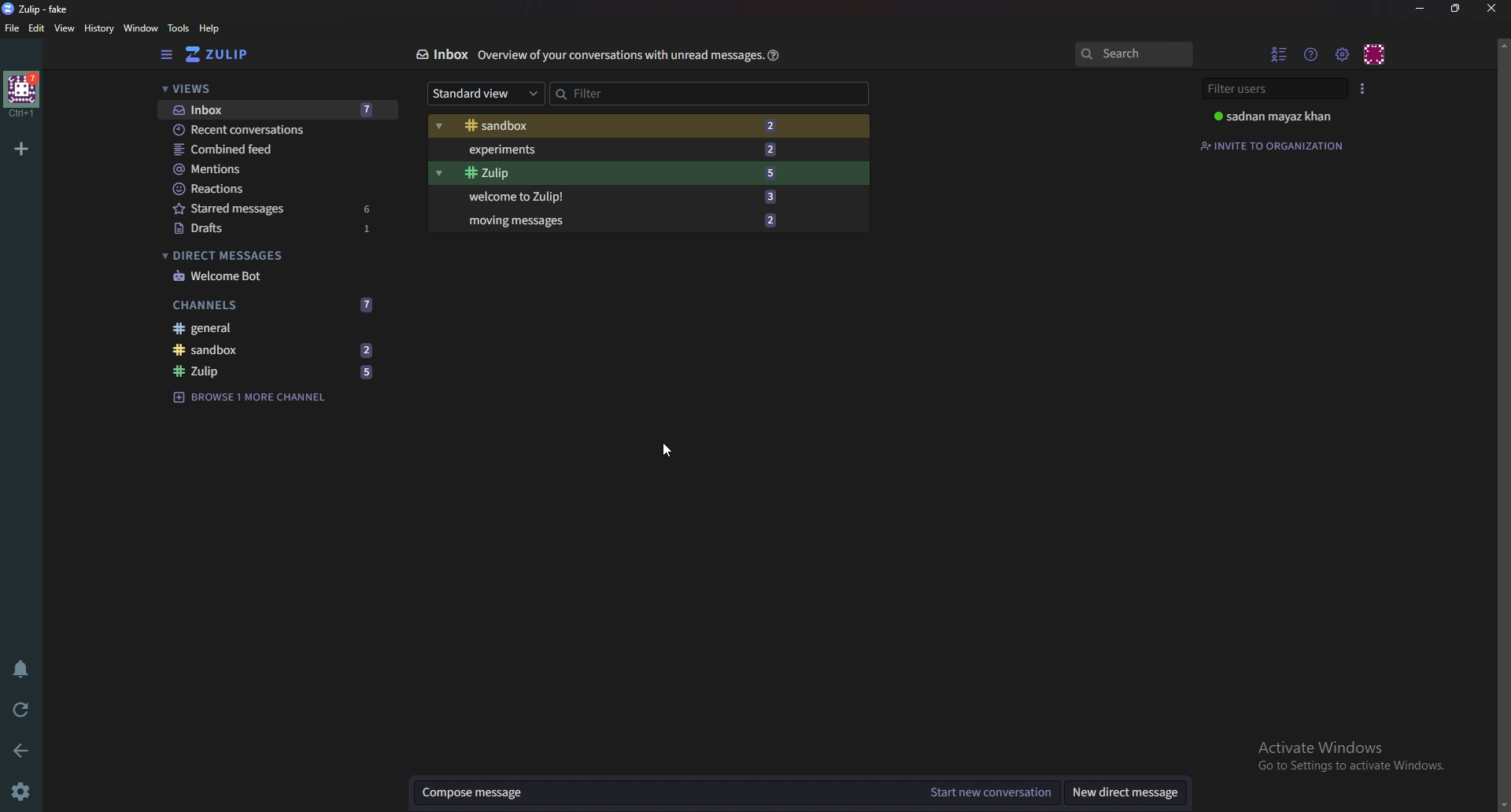 The image size is (1511, 812). I want to click on Hide sidebar, so click(169, 54).